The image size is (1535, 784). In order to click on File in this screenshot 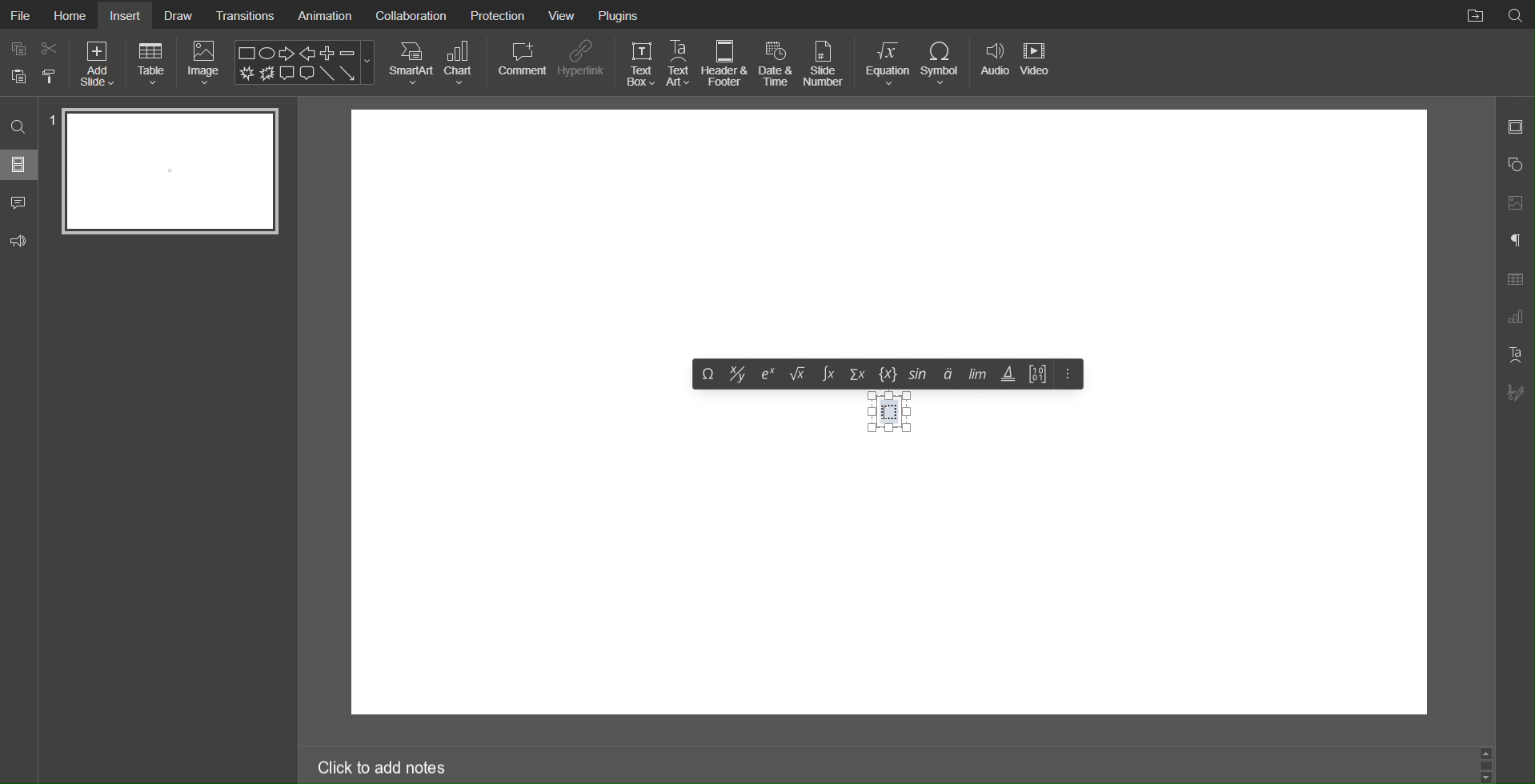, I will do `click(22, 14)`.